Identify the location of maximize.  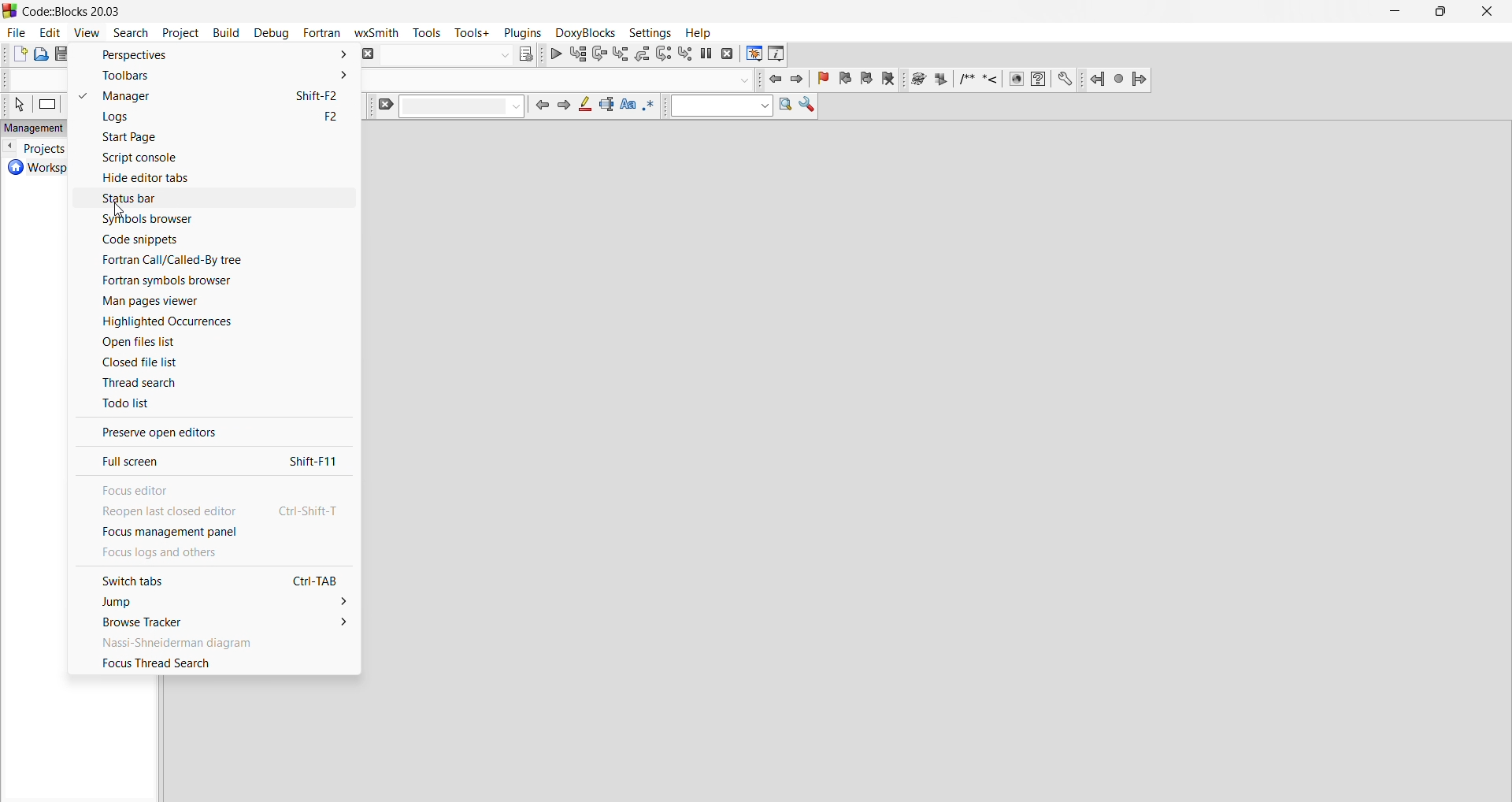
(1442, 13).